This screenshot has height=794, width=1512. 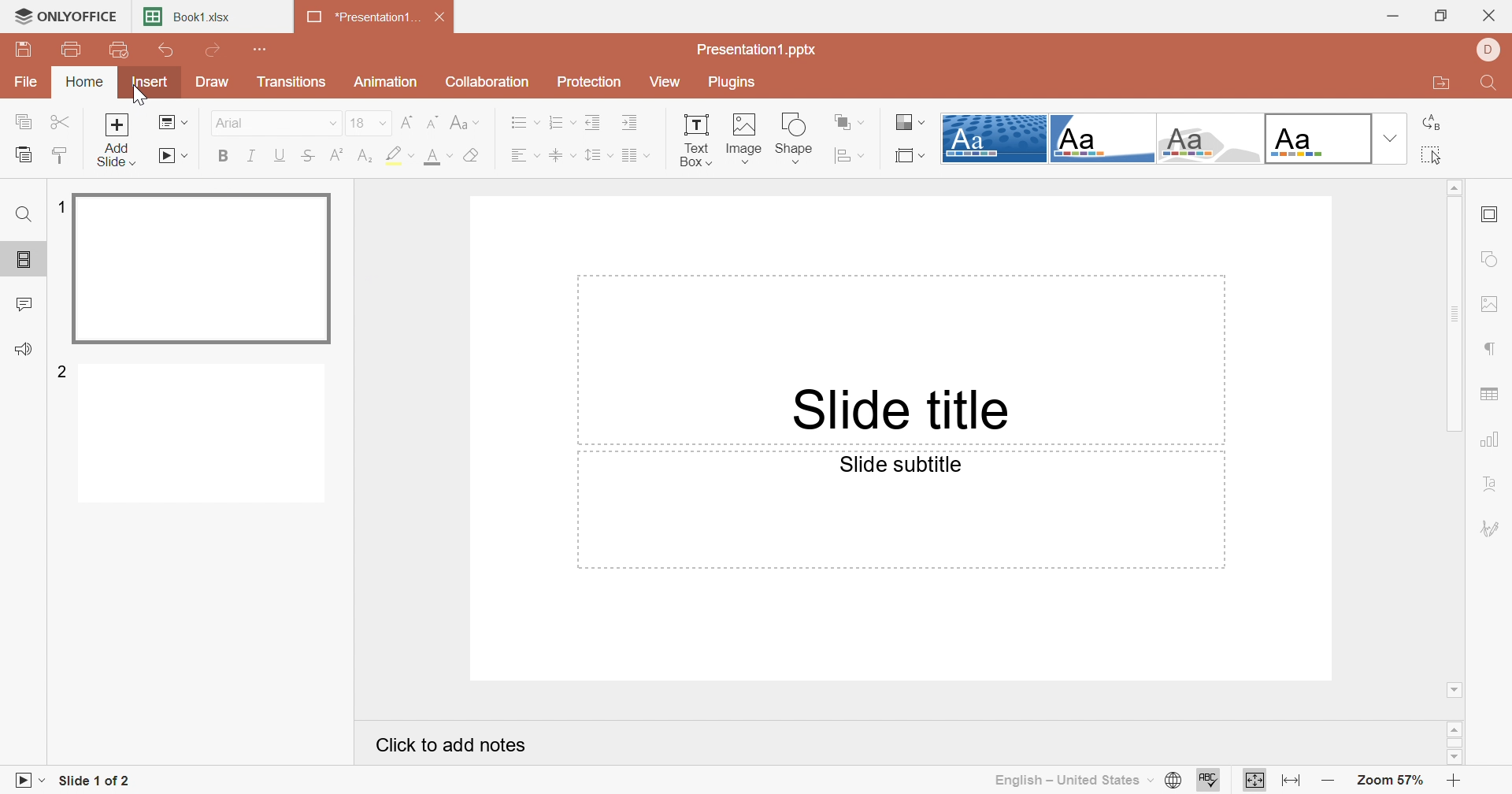 I want to click on Presentation1.pptx, so click(x=758, y=50).